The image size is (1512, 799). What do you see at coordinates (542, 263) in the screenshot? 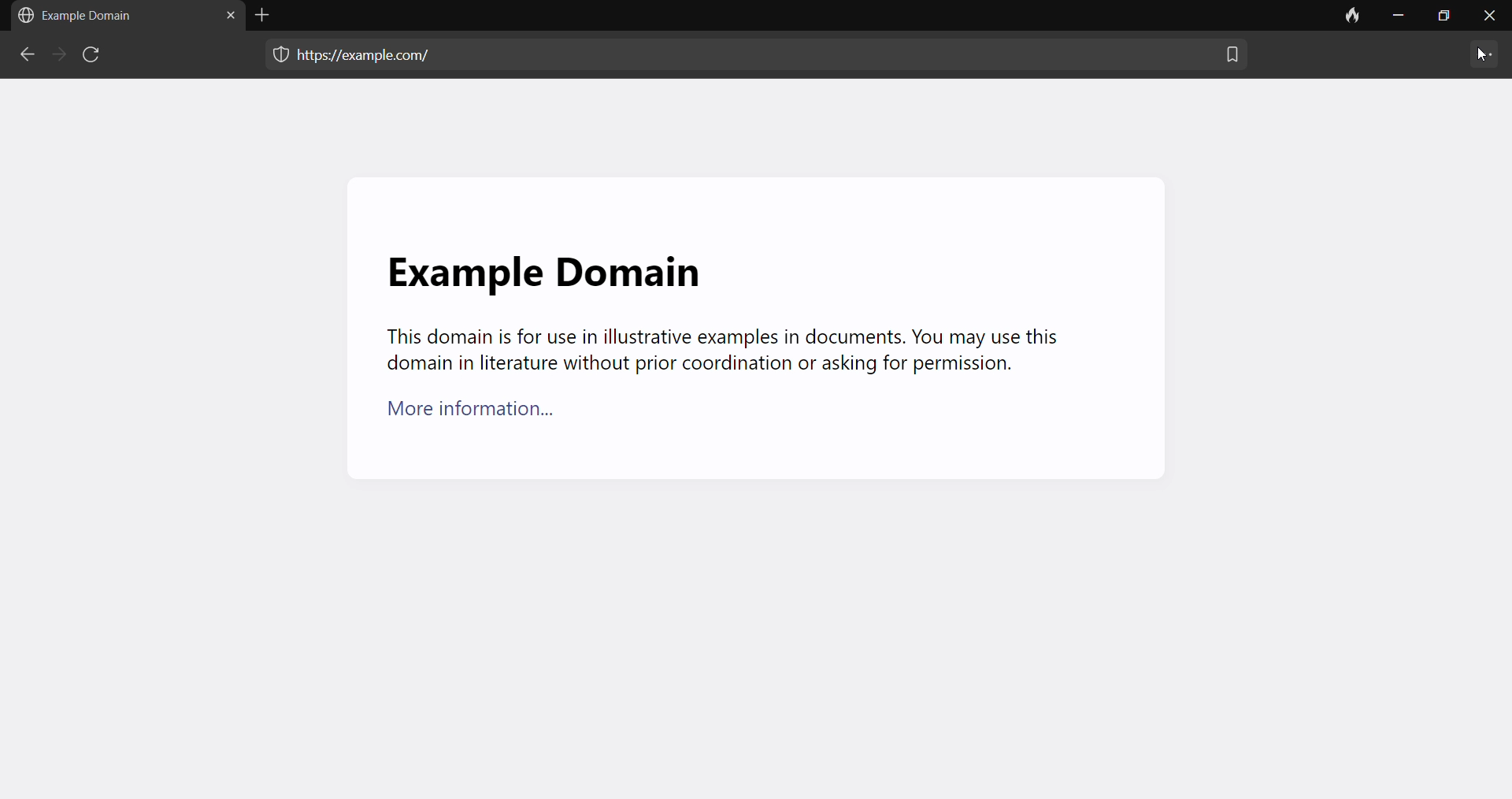
I see `Example Domain` at bounding box center [542, 263].